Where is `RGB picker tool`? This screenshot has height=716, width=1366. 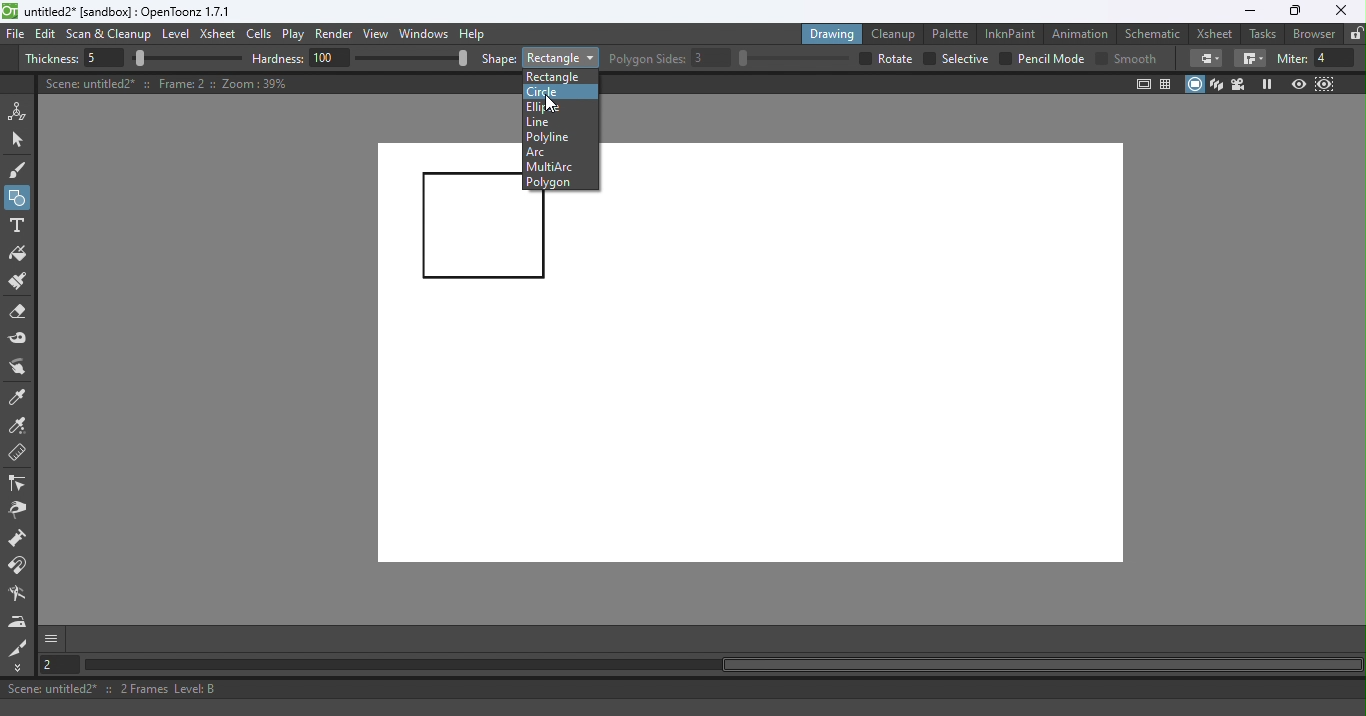
RGB picker tool is located at coordinates (21, 427).